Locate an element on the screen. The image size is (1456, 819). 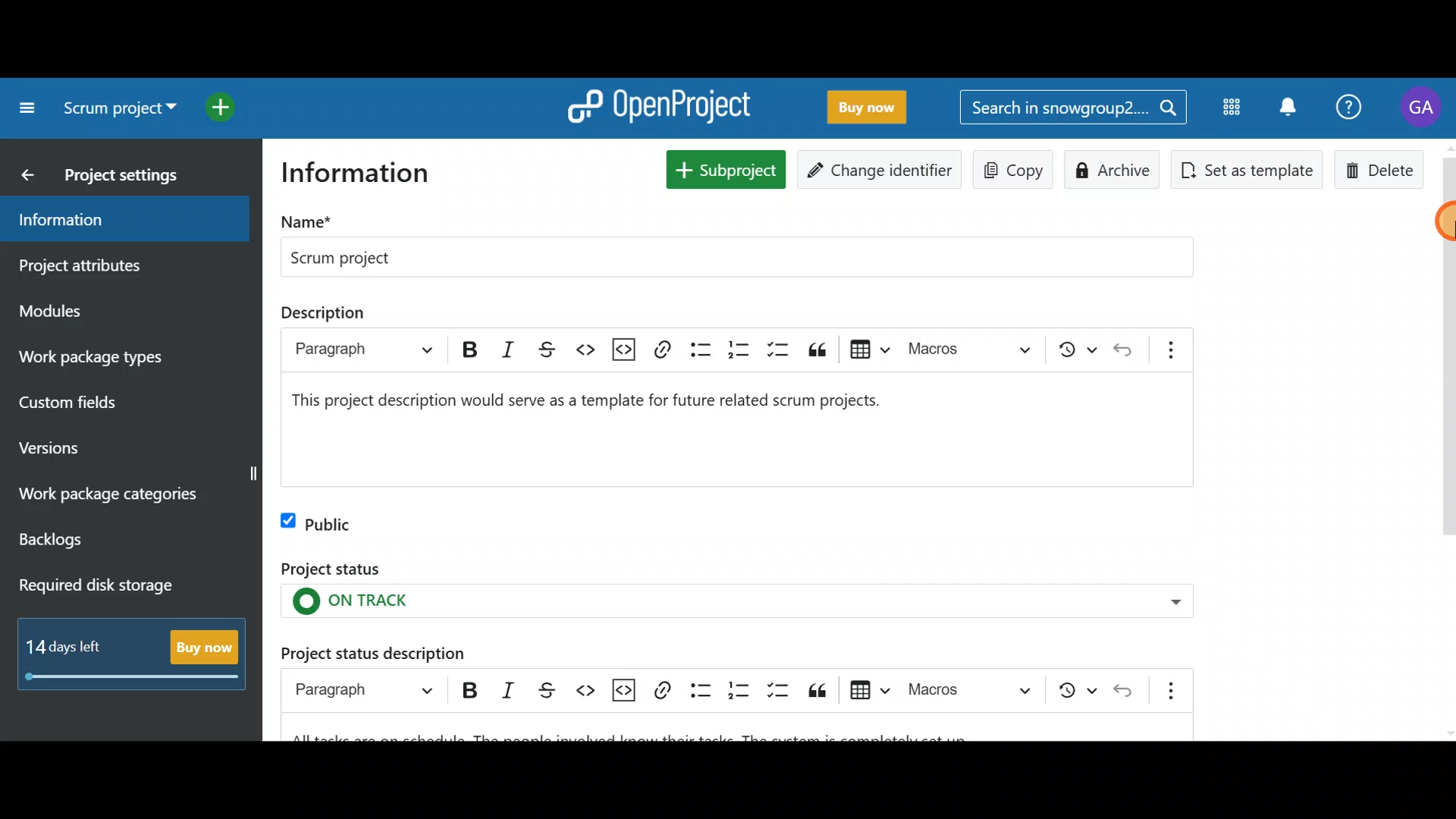
Work package categories is located at coordinates (130, 494).